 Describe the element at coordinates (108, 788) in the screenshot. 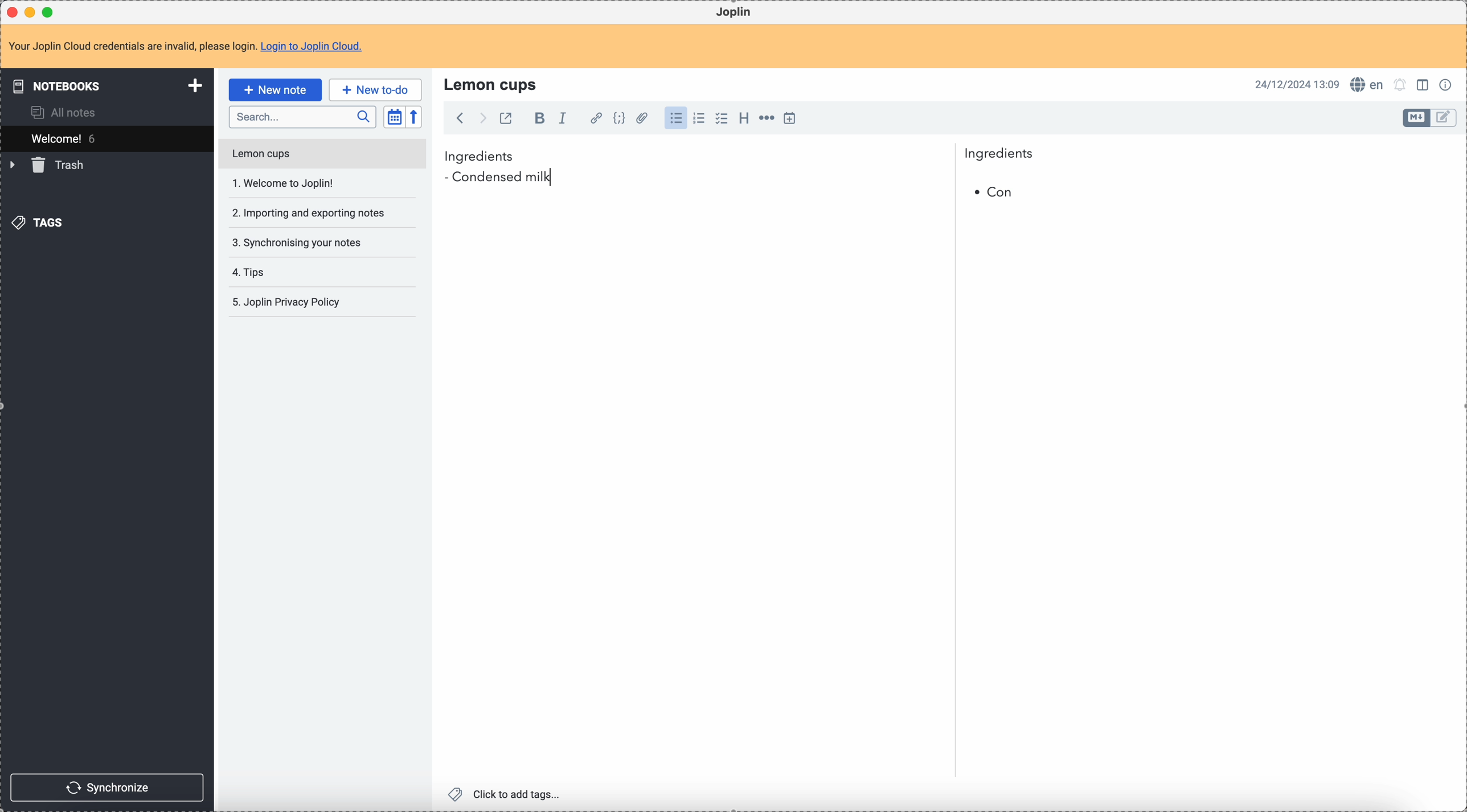

I see `synchronize` at that location.